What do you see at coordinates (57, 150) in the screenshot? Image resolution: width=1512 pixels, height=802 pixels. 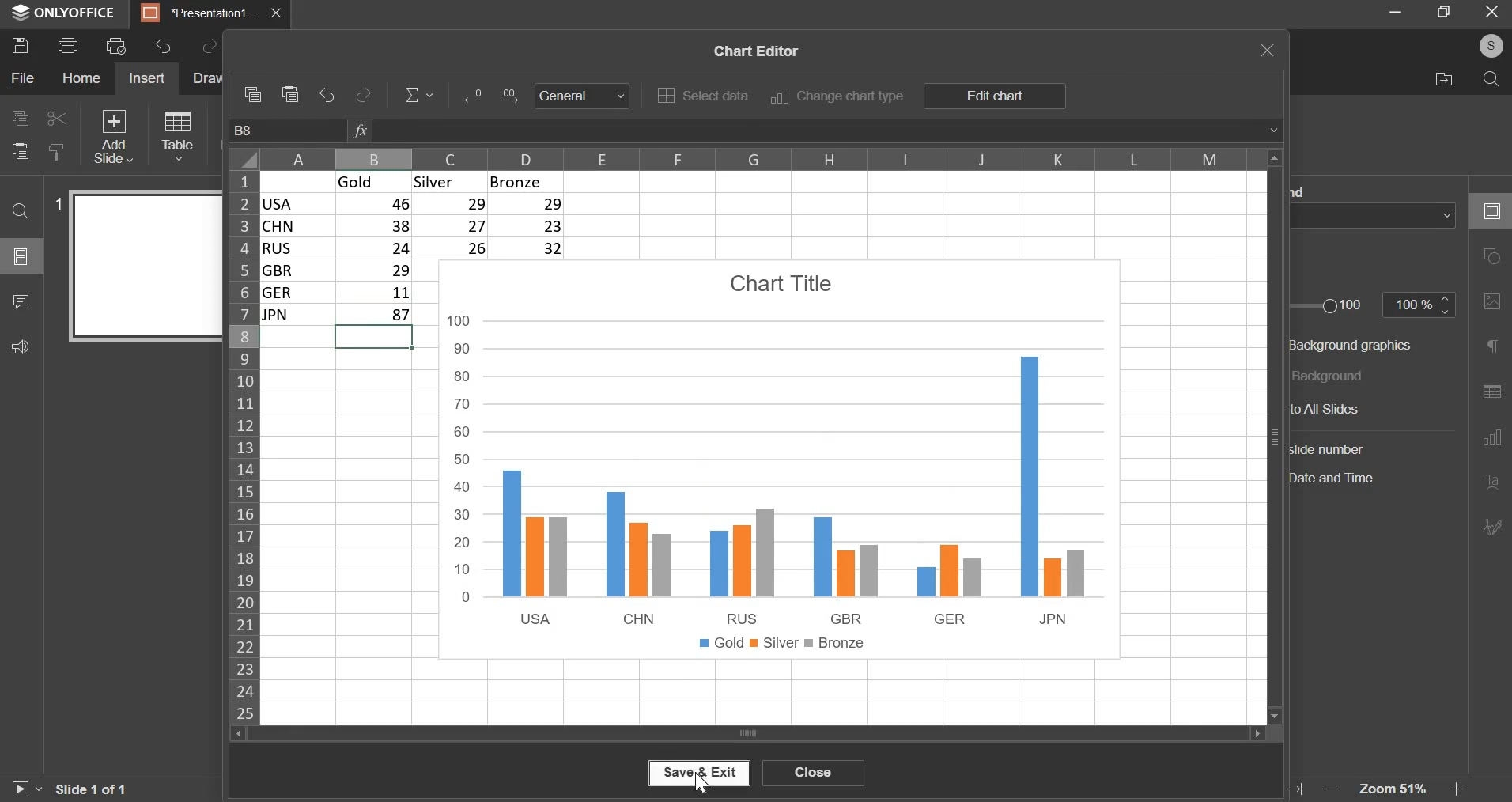 I see `copy style` at bounding box center [57, 150].